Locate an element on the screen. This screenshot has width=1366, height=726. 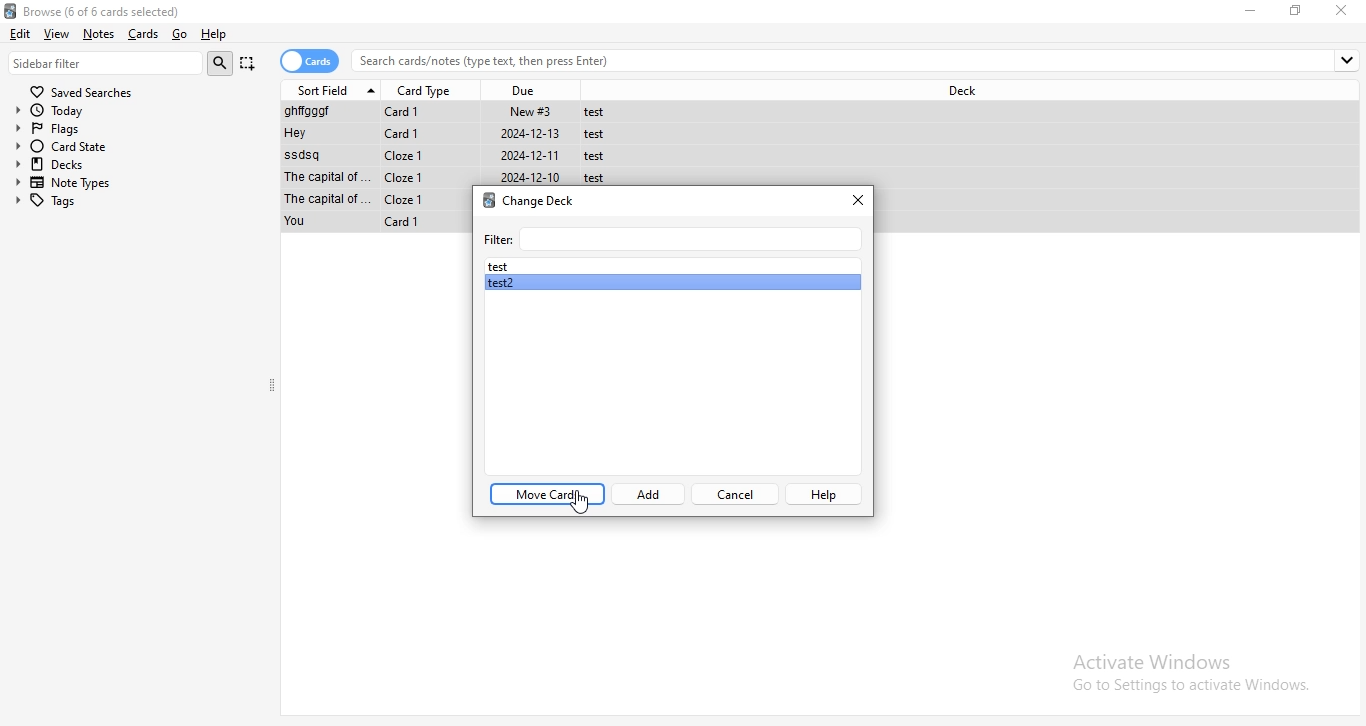
saved searches is located at coordinates (81, 91).